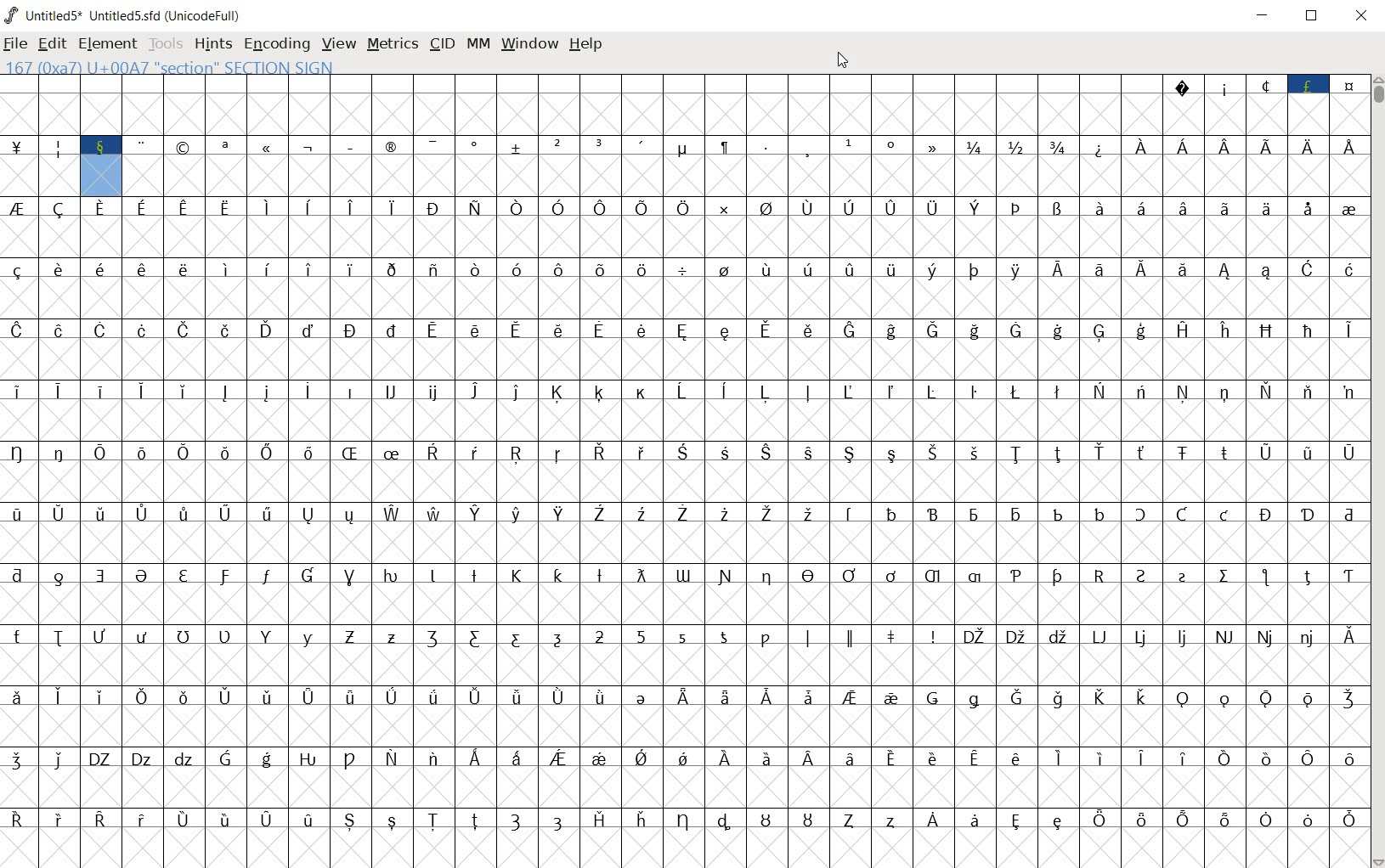  I want to click on Latin extended characters, so click(497, 778).